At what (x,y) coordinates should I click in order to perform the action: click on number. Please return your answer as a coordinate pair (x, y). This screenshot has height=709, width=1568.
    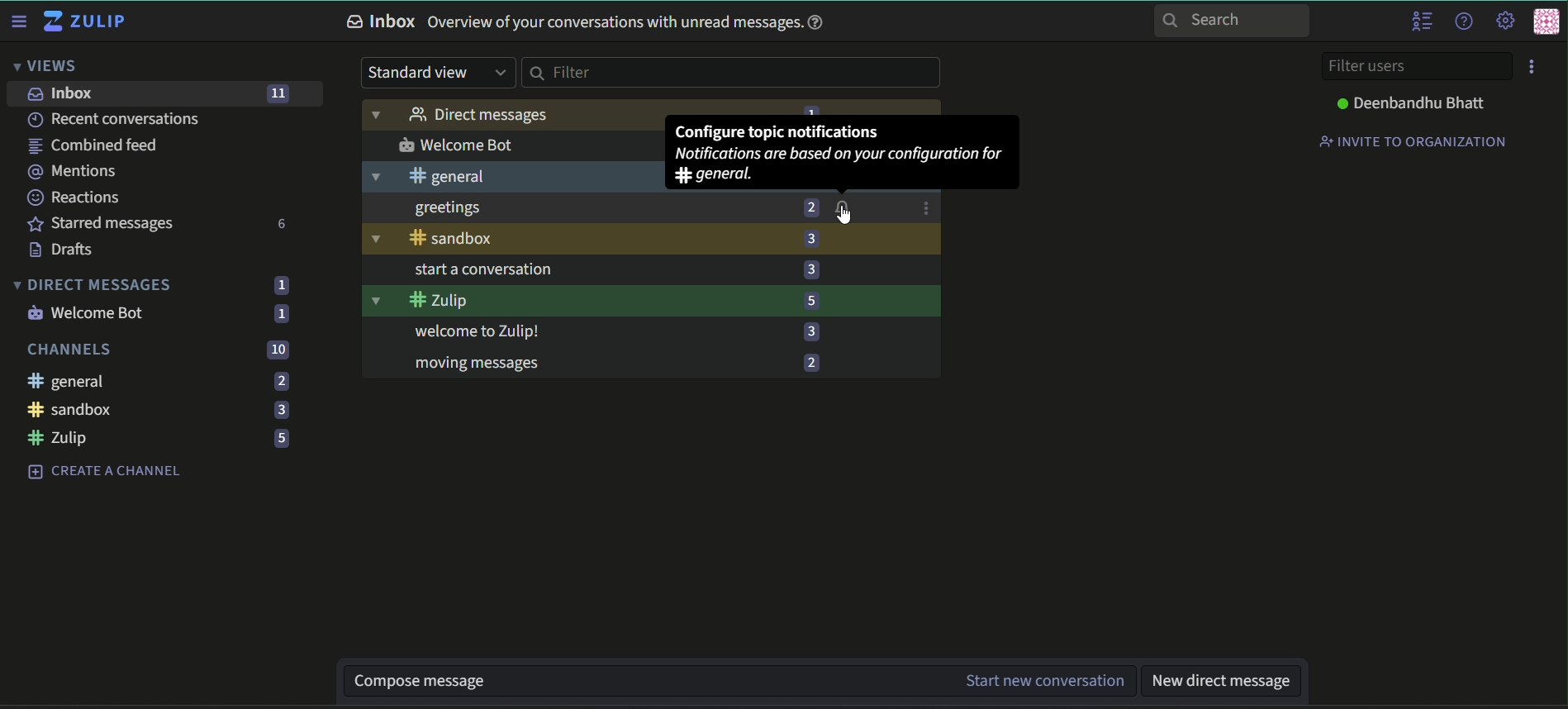
    Looking at the image, I should click on (810, 239).